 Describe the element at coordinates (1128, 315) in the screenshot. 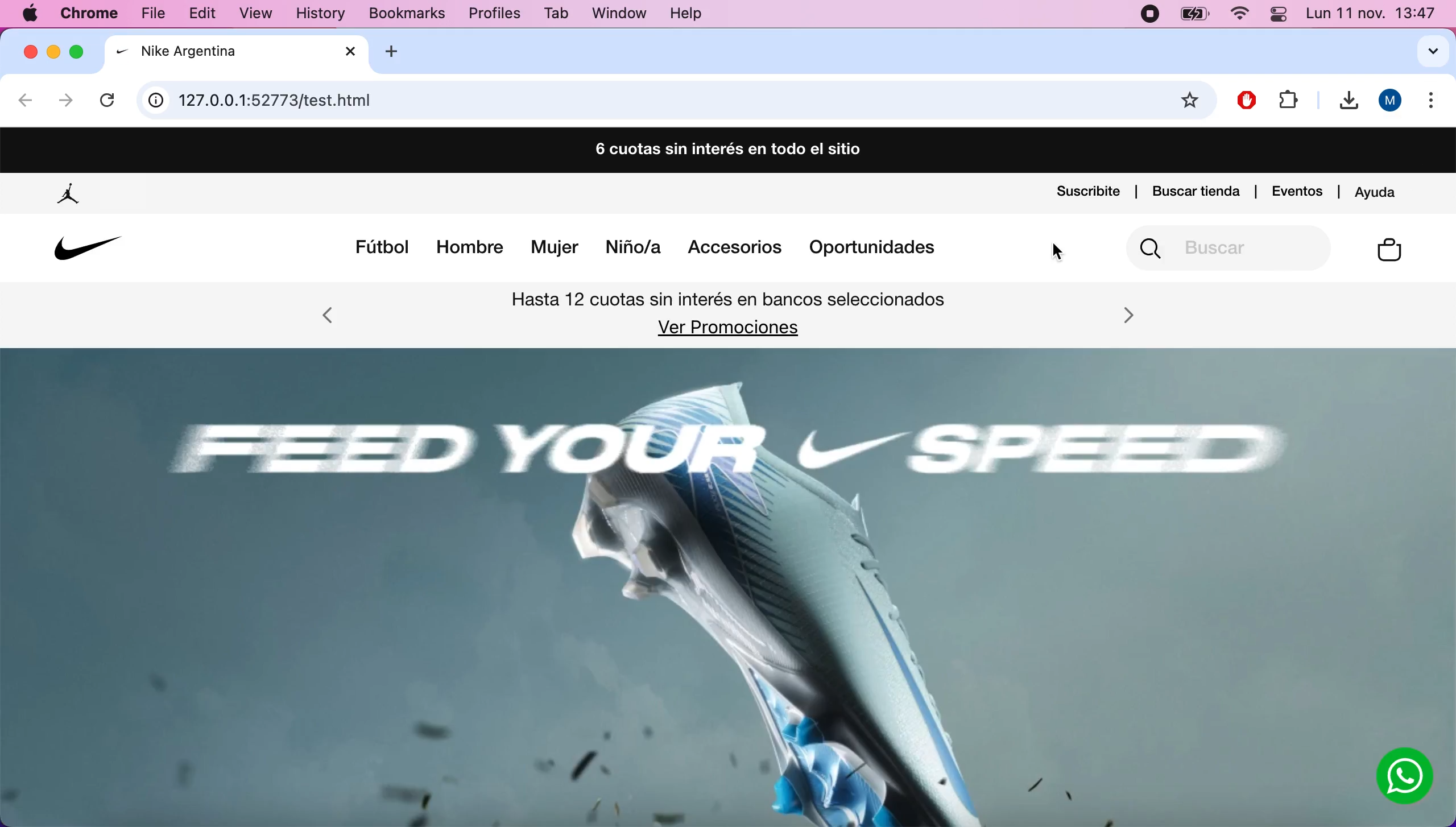

I see `Go right` at that location.